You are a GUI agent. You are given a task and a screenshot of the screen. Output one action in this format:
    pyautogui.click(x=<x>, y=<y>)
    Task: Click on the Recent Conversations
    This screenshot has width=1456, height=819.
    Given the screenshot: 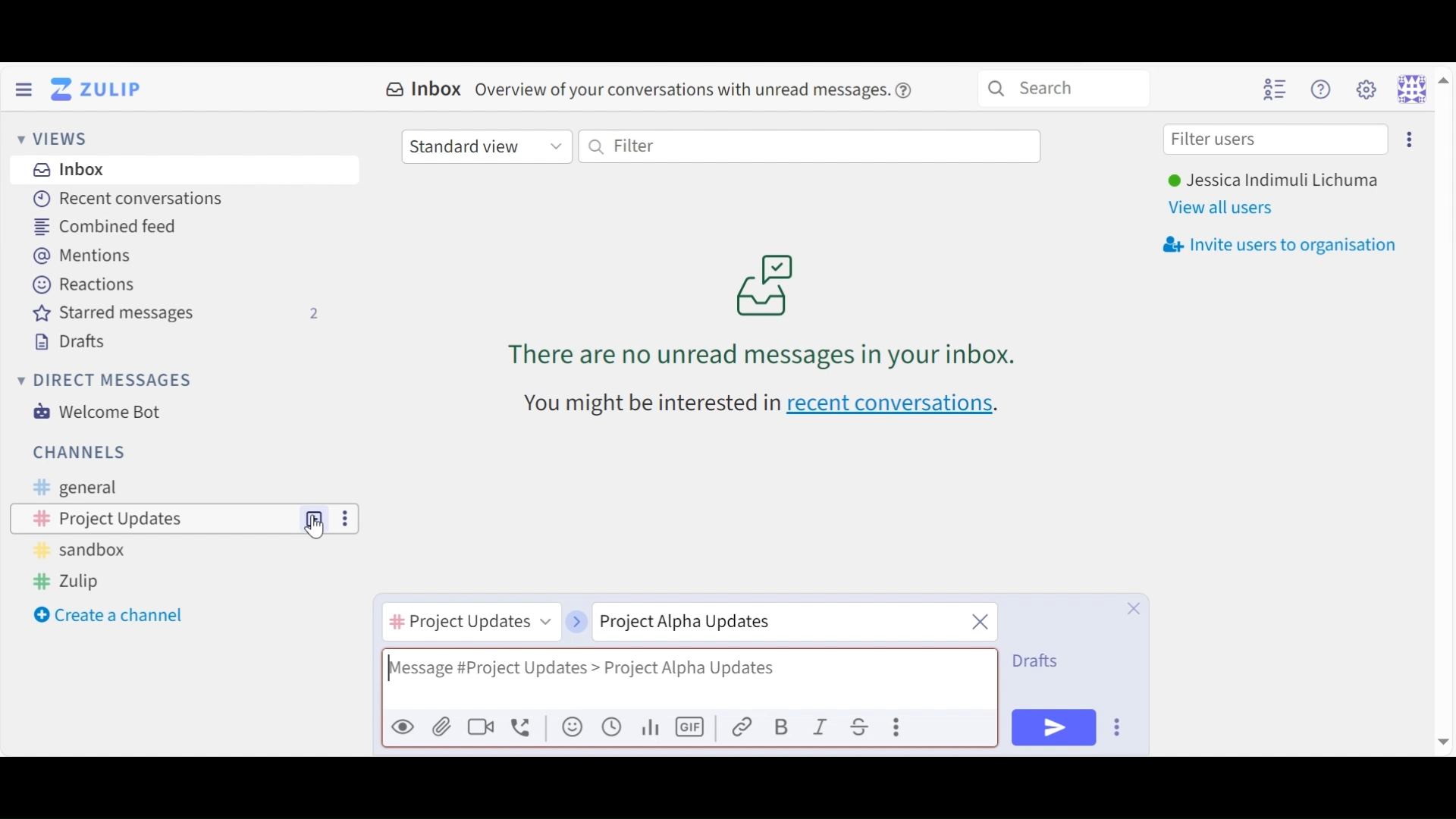 What is the action you would take?
    pyautogui.click(x=130, y=199)
    